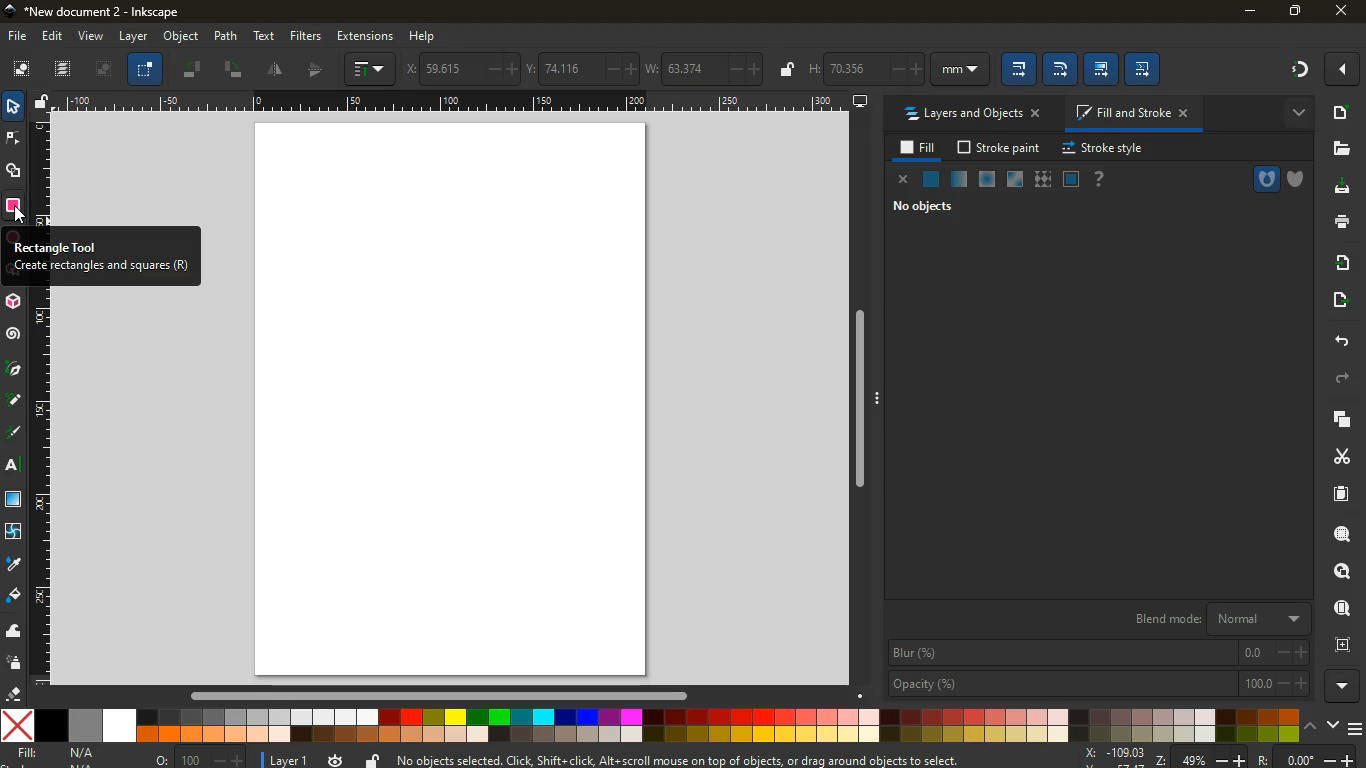 This screenshot has height=768, width=1366. What do you see at coordinates (860, 101) in the screenshot?
I see `desktop` at bounding box center [860, 101].